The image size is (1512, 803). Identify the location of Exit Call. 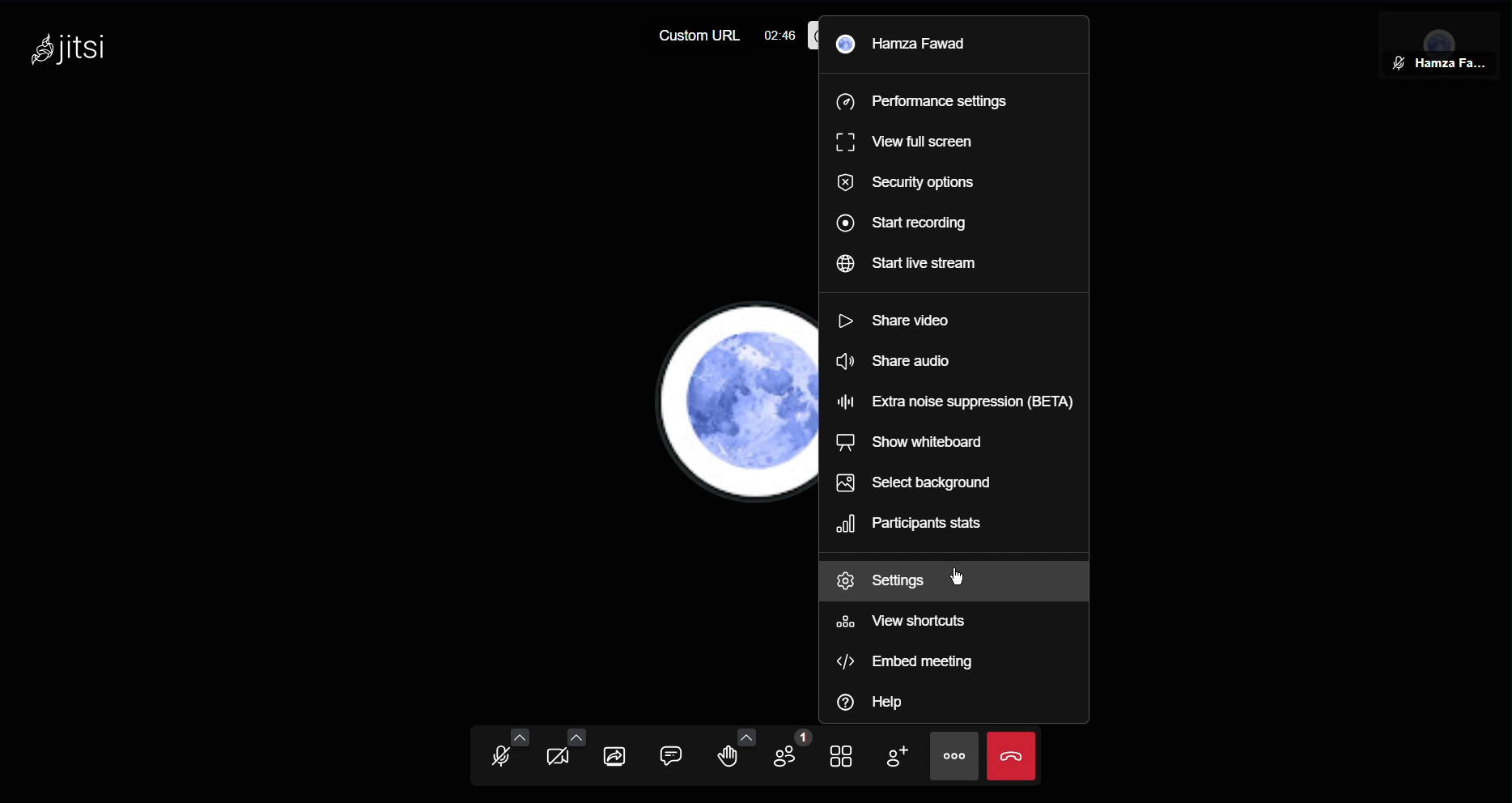
(1015, 754).